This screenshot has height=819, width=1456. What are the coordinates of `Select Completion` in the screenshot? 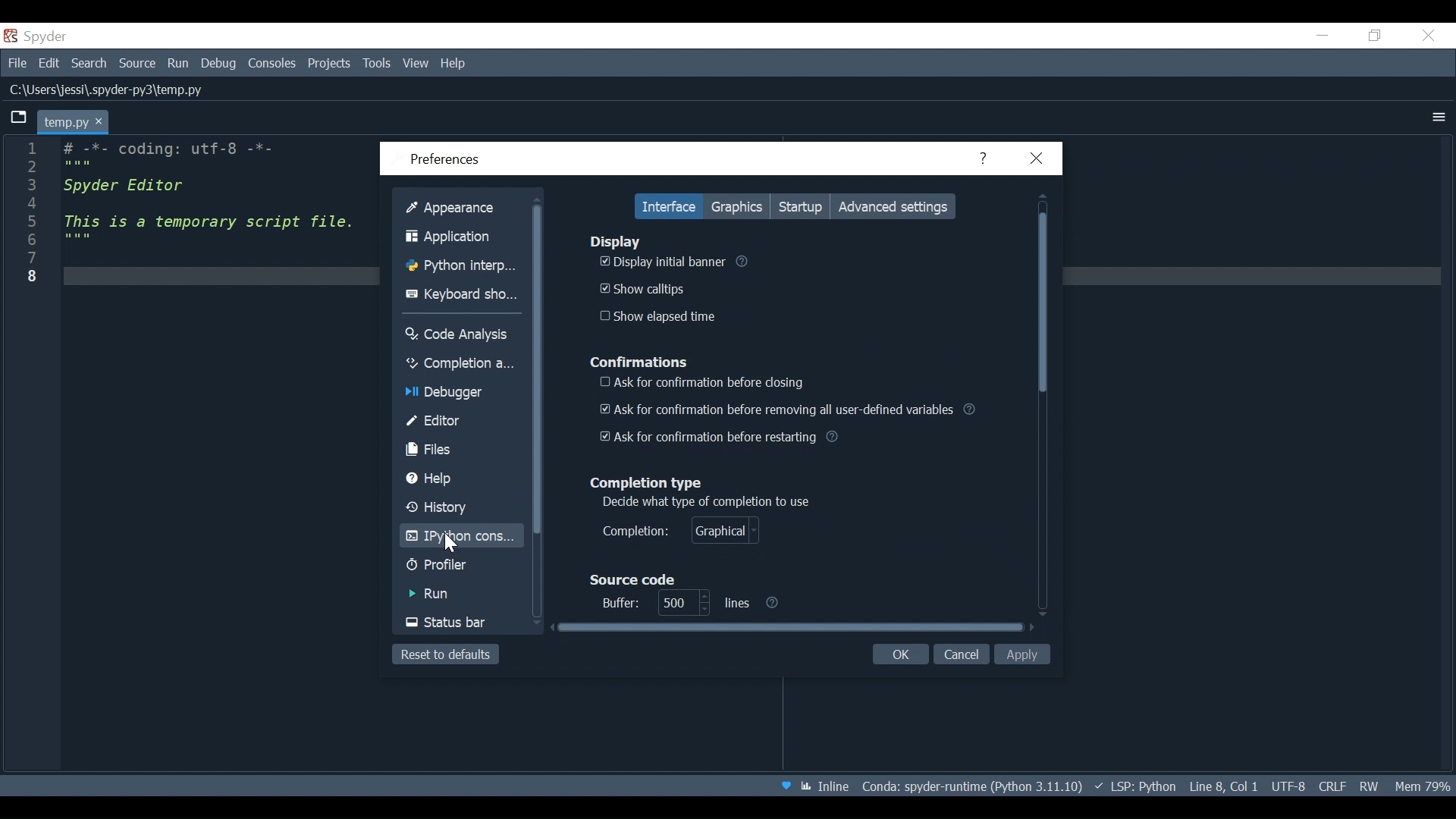 It's located at (682, 532).